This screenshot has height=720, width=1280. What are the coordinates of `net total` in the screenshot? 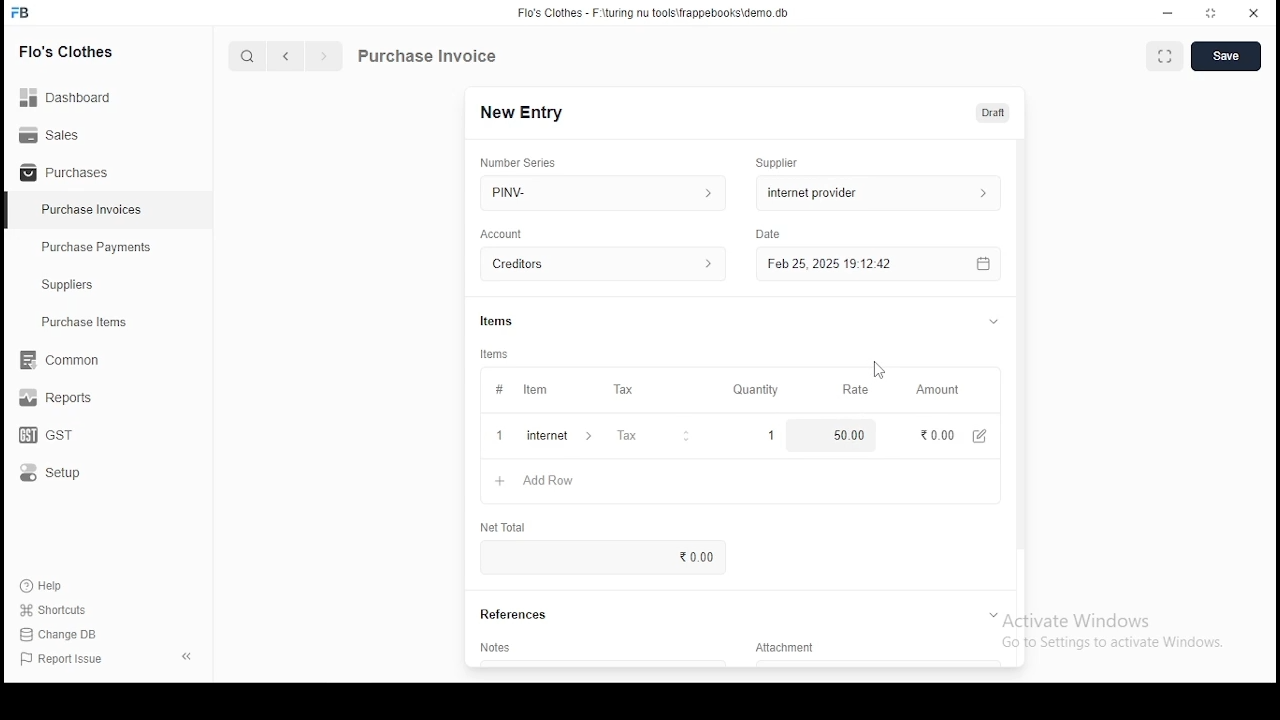 It's located at (505, 528).